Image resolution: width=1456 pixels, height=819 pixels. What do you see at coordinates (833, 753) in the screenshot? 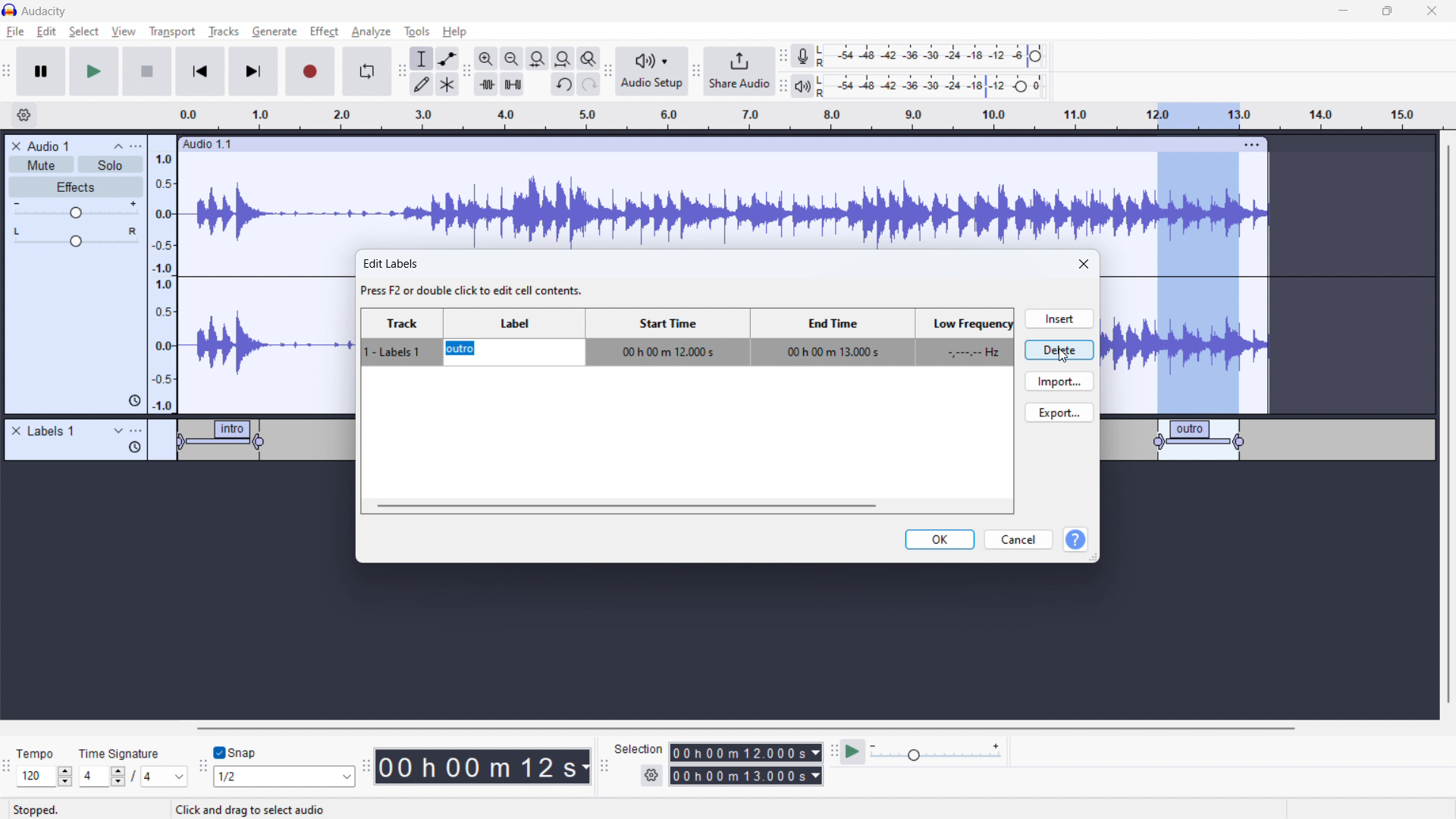
I see `play at speed toolbar` at bounding box center [833, 753].